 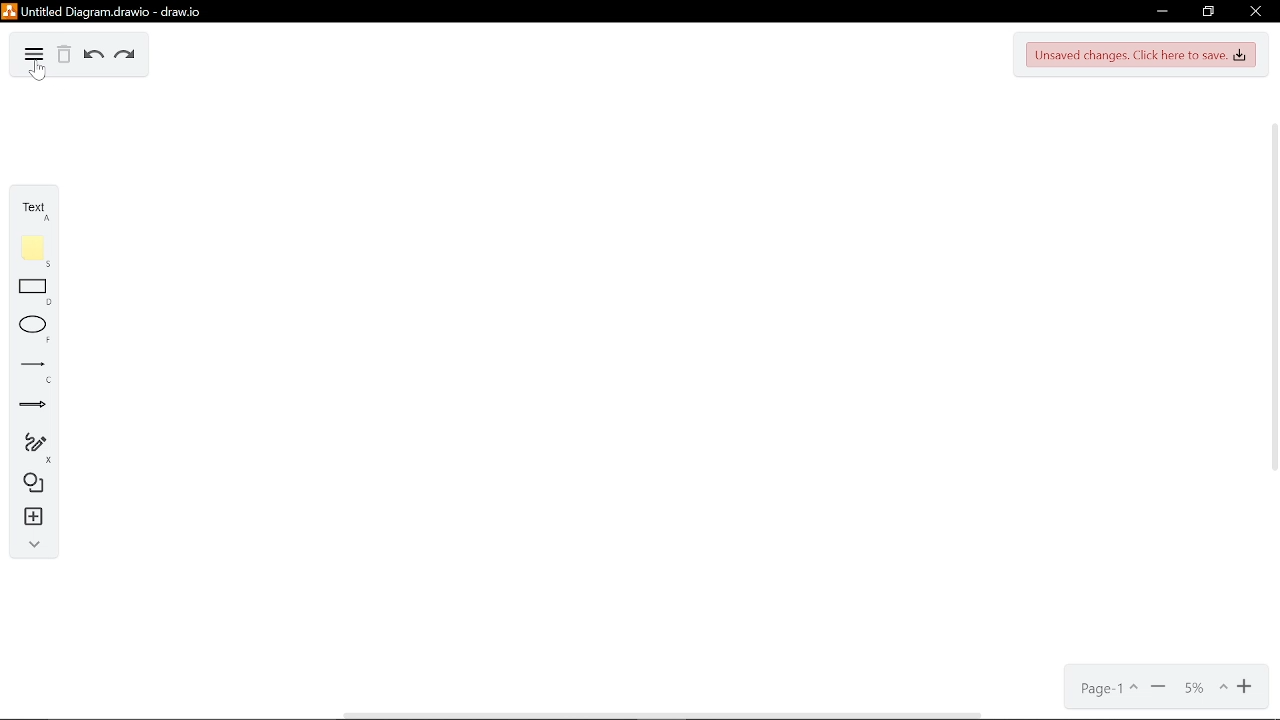 What do you see at coordinates (28, 249) in the screenshot?
I see `Note` at bounding box center [28, 249].